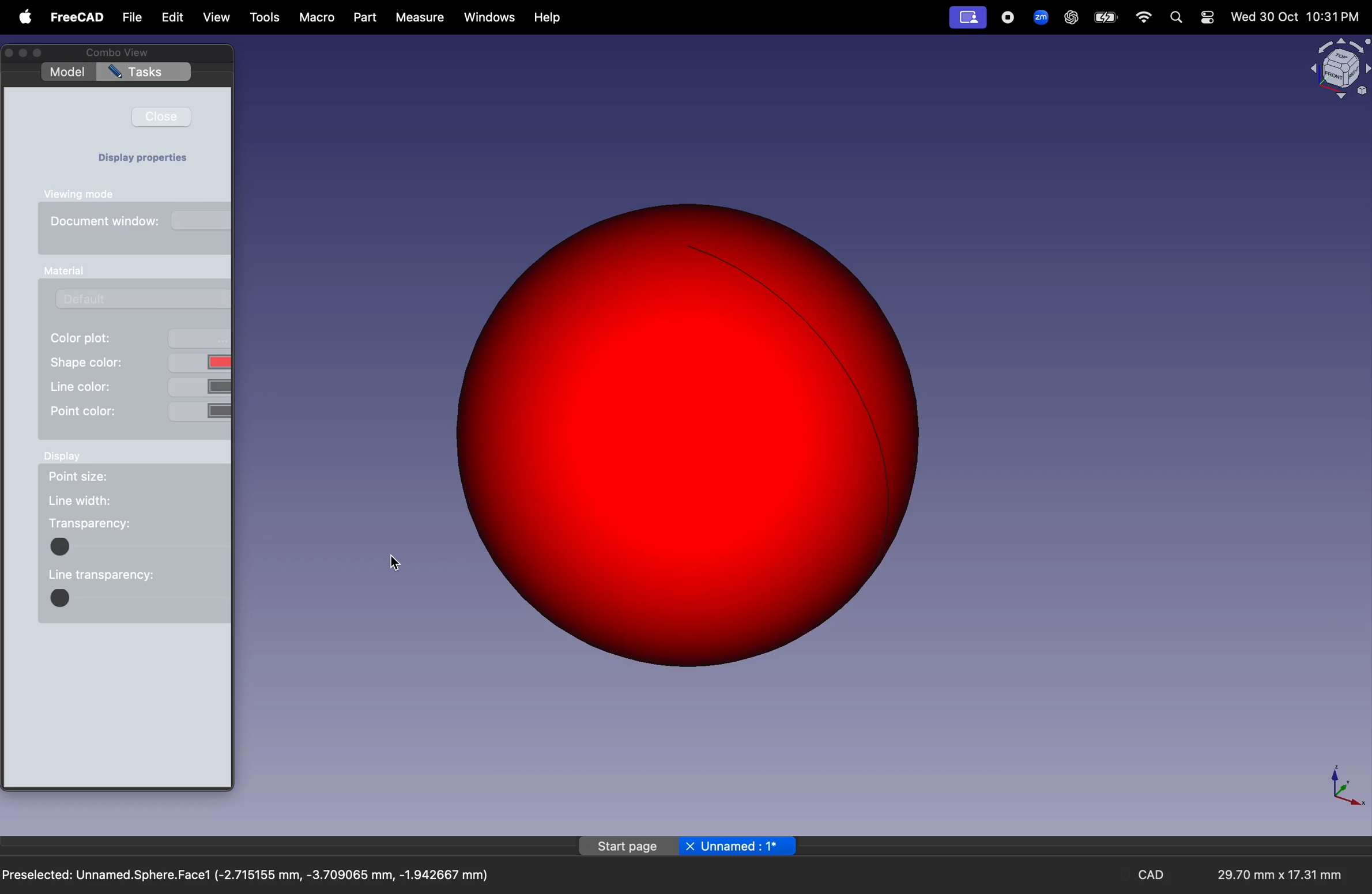 This screenshot has height=894, width=1372. What do you see at coordinates (628, 846) in the screenshot?
I see `start page` at bounding box center [628, 846].